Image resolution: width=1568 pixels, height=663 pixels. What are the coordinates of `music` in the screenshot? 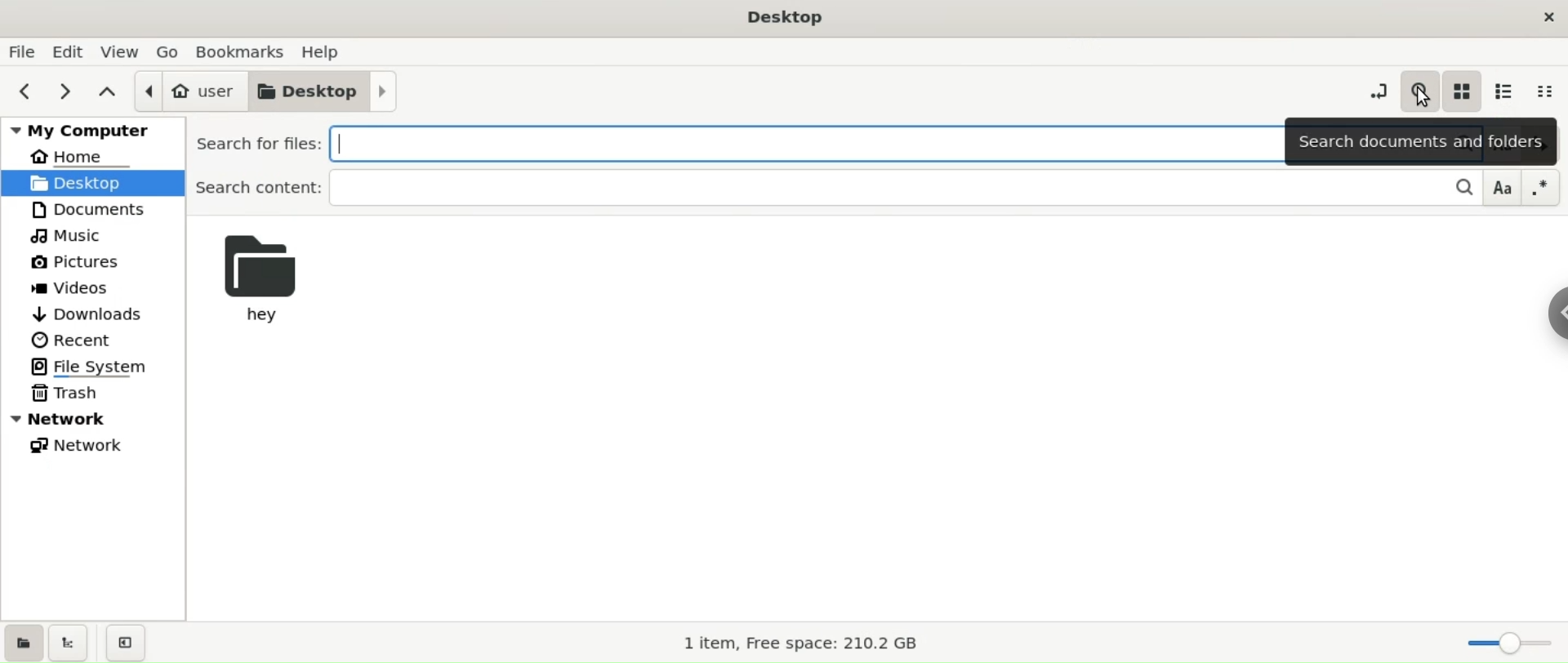 It's located at (93, 234).